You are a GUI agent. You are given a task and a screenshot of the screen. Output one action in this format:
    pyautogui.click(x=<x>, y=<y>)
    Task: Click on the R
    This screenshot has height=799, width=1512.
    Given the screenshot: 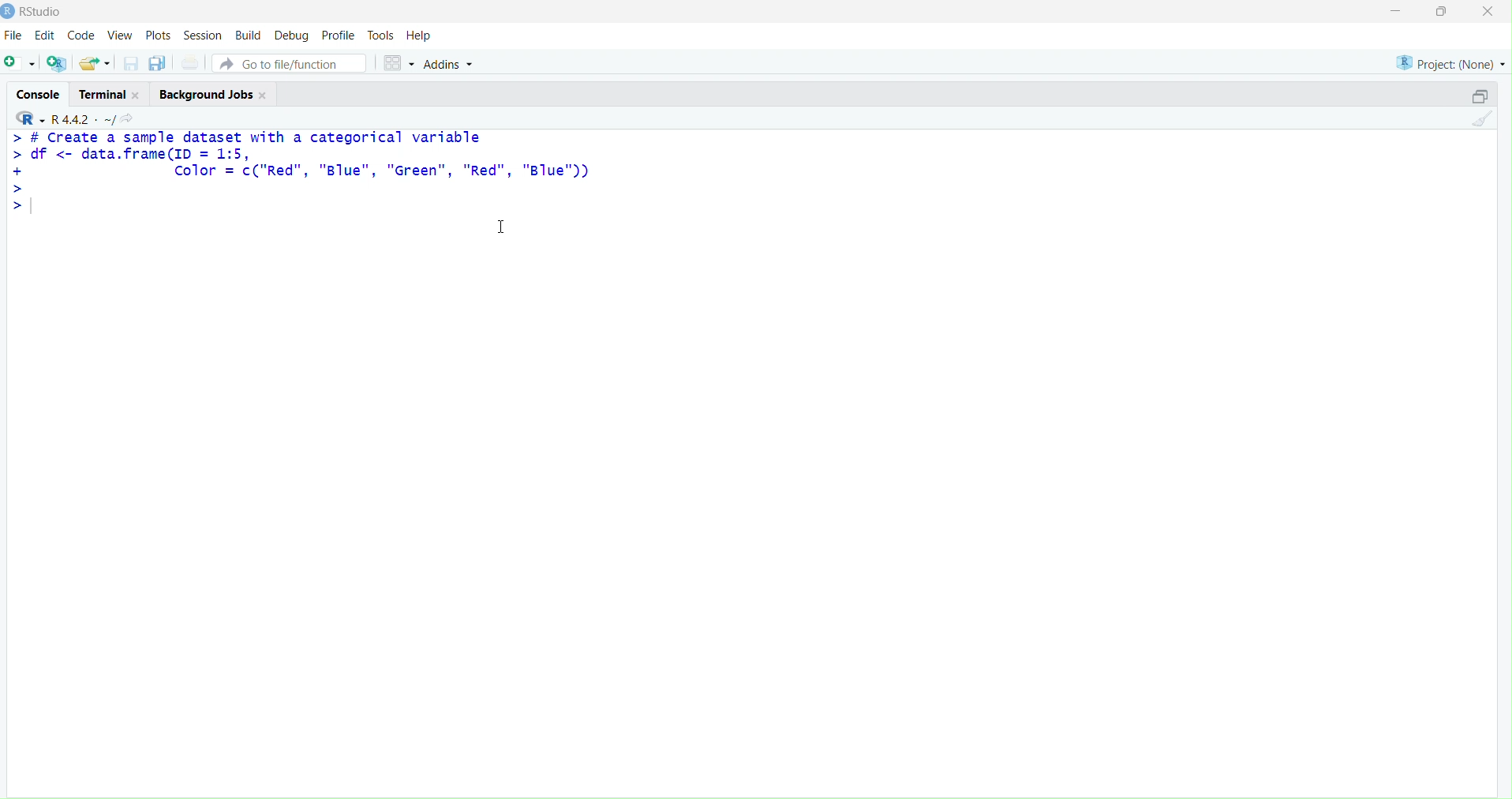 What is the action you would take?
    pyautogui.click(x=31, y=118)
    